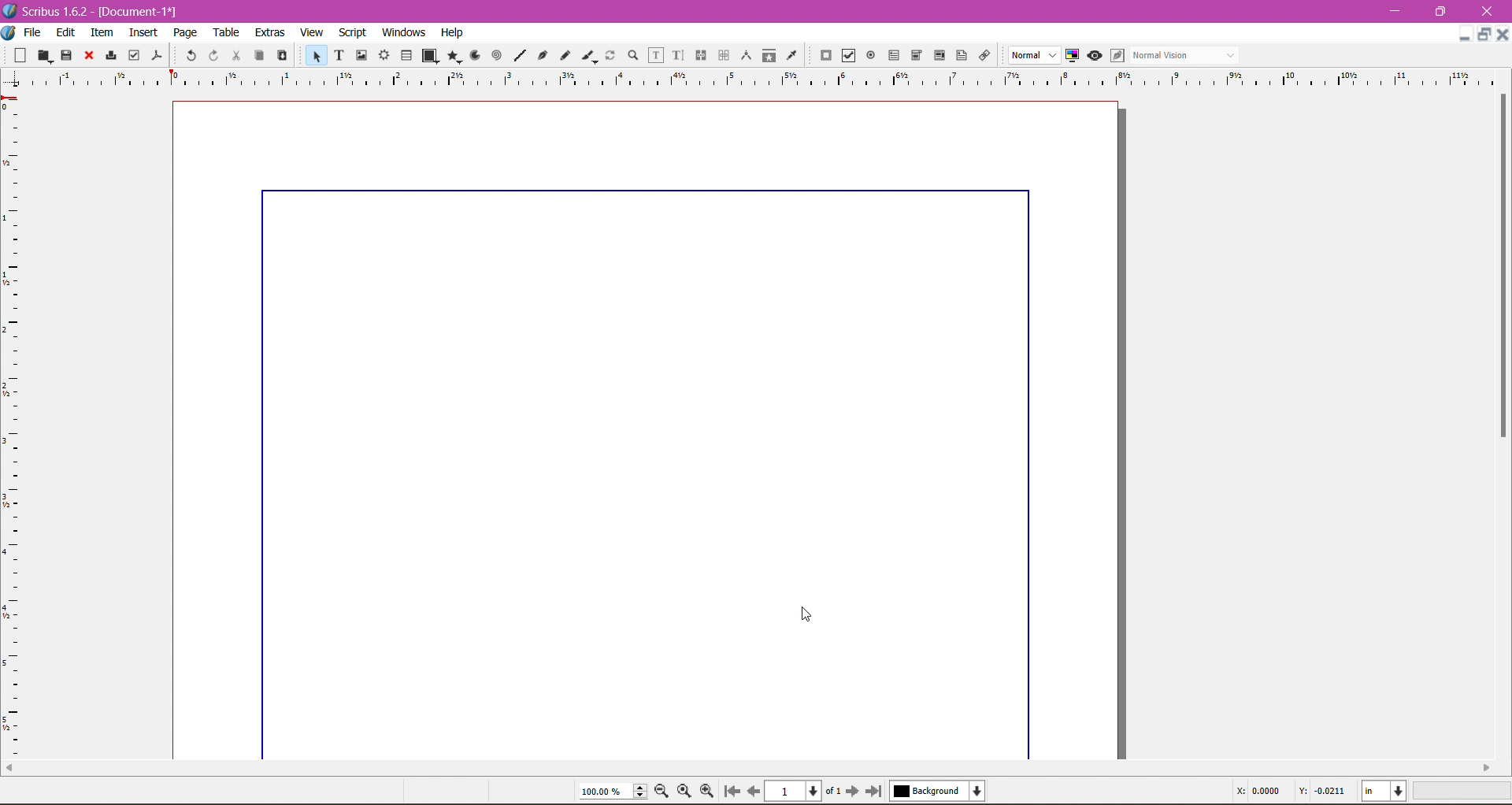 This screenshot has width=1512, height=805. I want to click on Polygon, so click(451, 57).